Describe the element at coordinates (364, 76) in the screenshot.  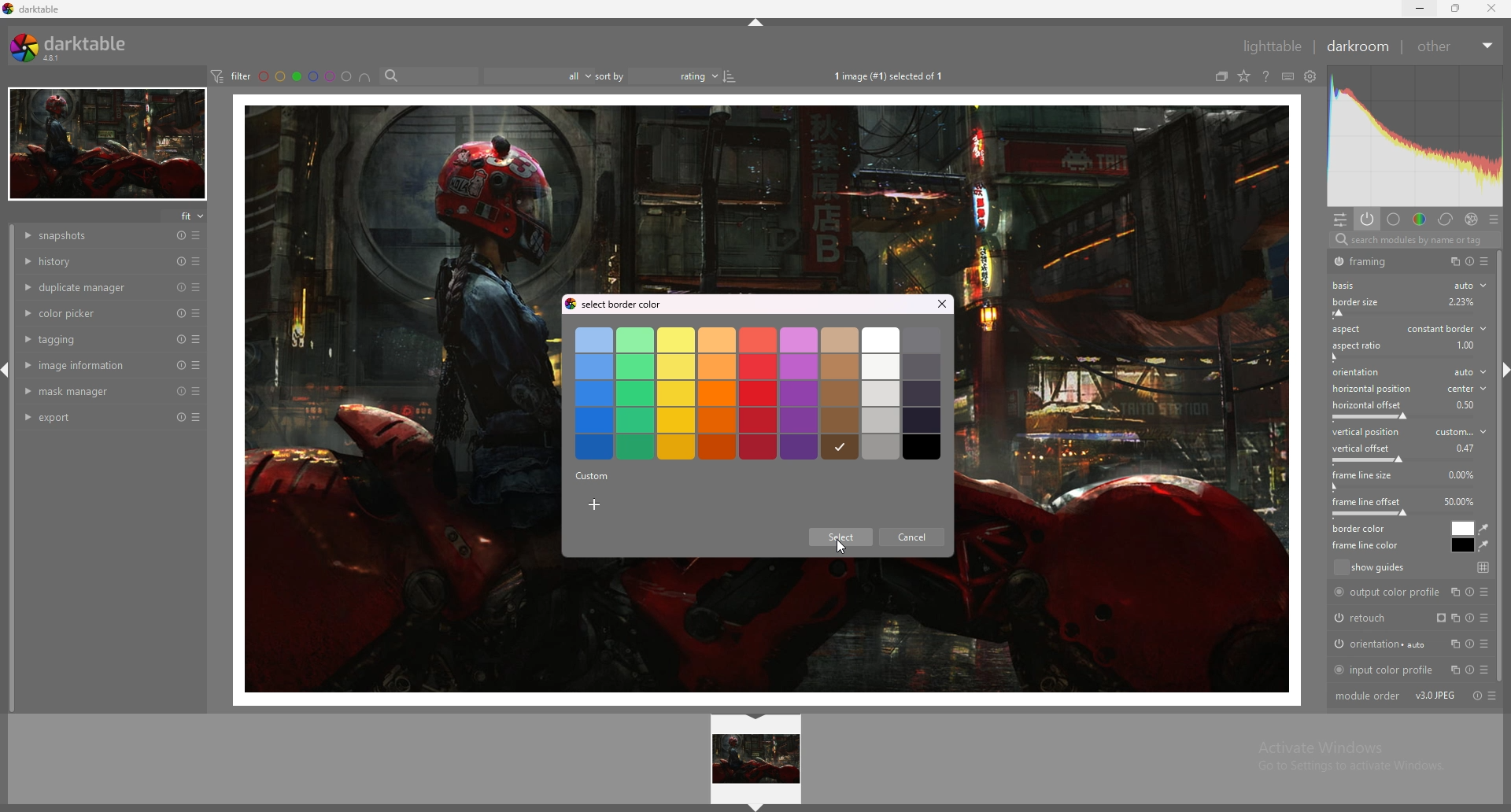
I see `images having all selected color labels` at that location.